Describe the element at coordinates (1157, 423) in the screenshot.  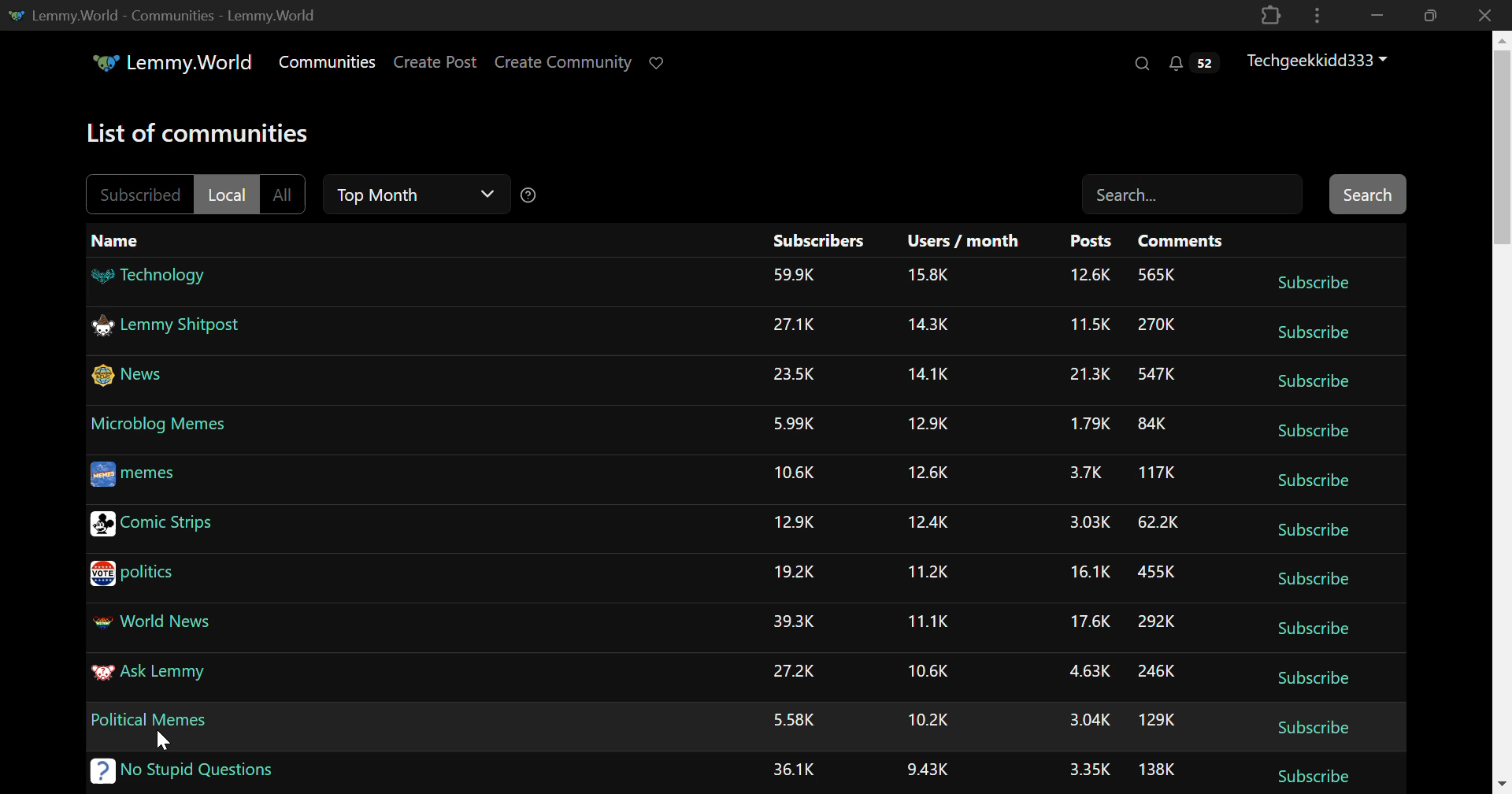
I see `Amount` at that location.